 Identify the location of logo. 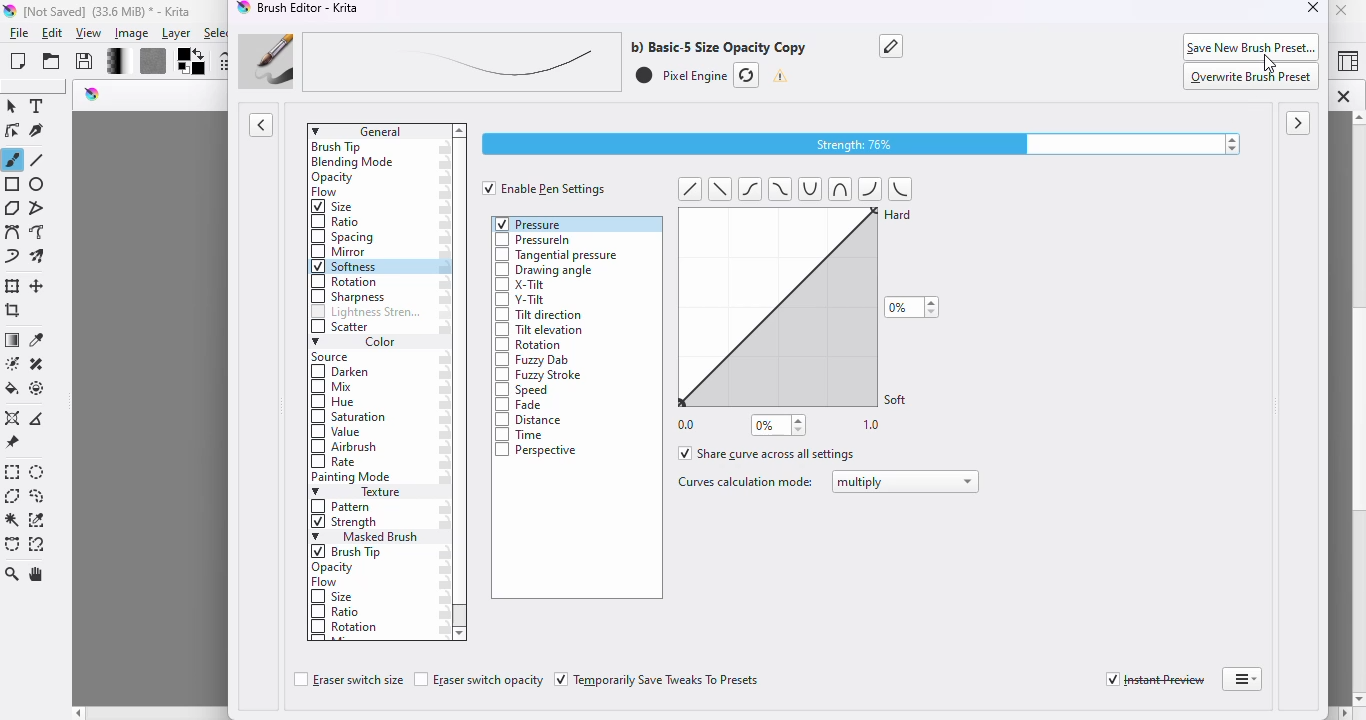
(10, 12).